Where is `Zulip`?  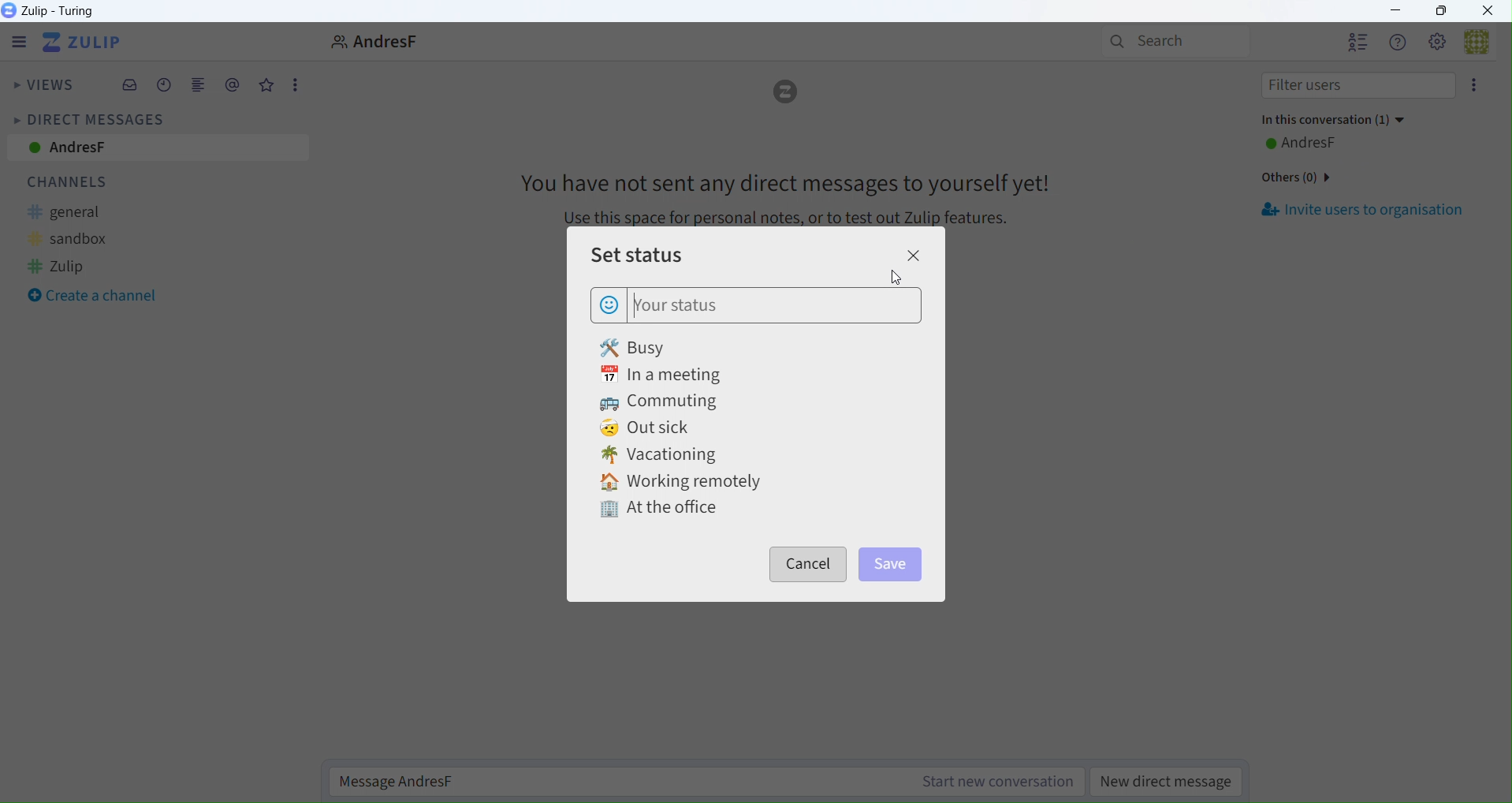
Zulip is located at coordinates (55, 11).